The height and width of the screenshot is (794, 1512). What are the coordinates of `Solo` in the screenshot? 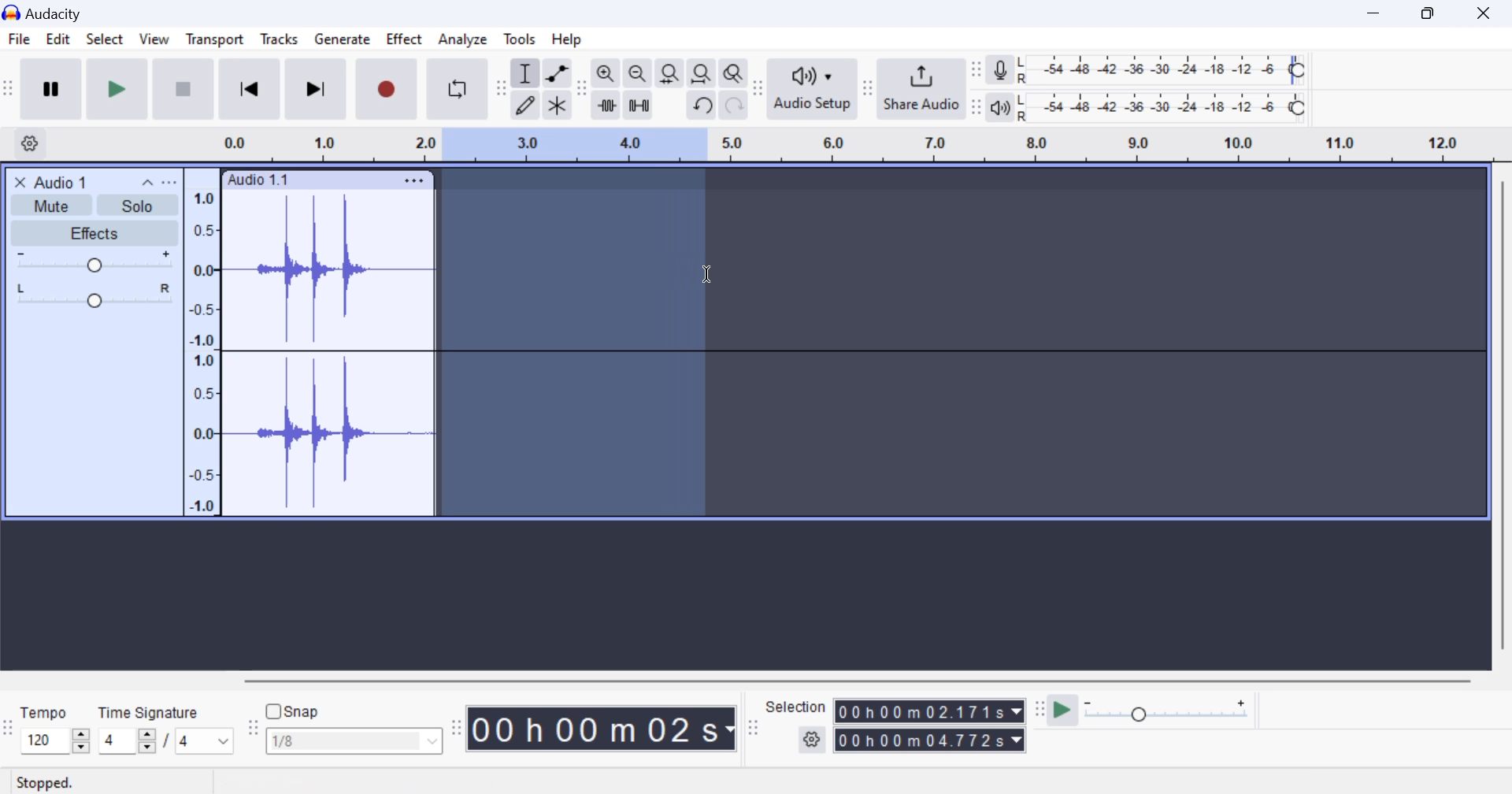 It's located at (139, 206).